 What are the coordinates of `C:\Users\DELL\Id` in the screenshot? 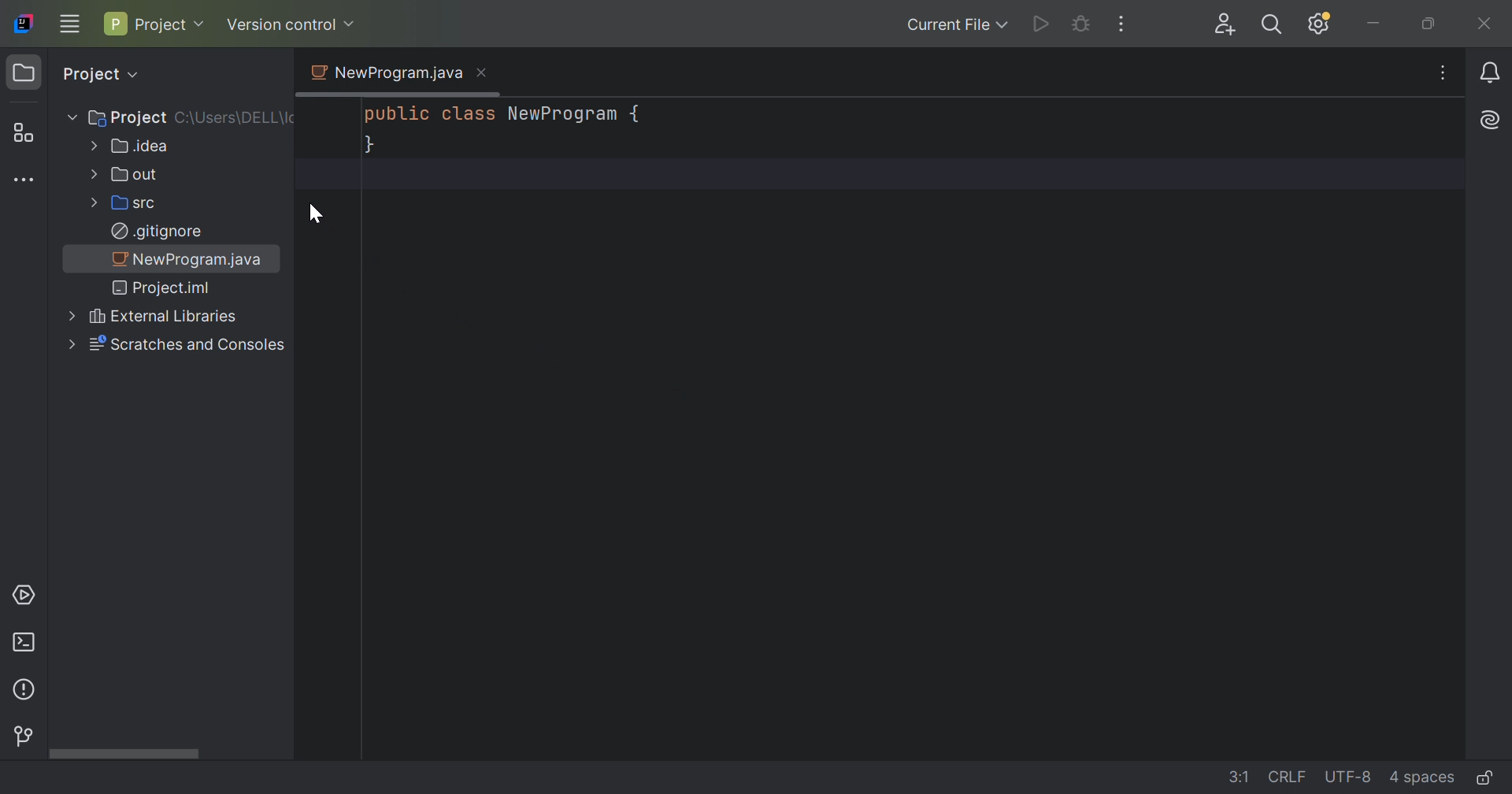 It's located at (235, 120).